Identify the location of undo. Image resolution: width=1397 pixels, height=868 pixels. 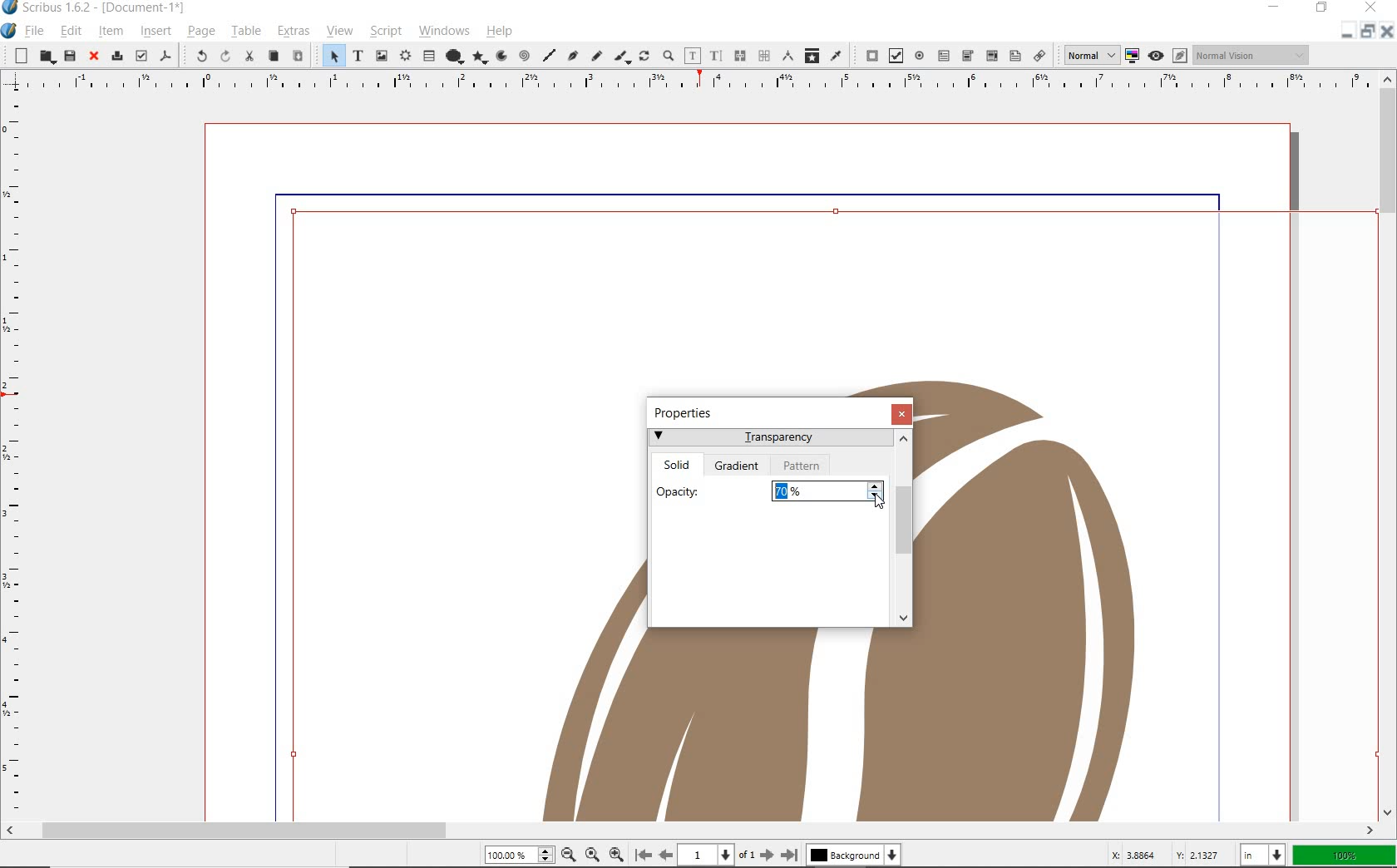
(198, 56).